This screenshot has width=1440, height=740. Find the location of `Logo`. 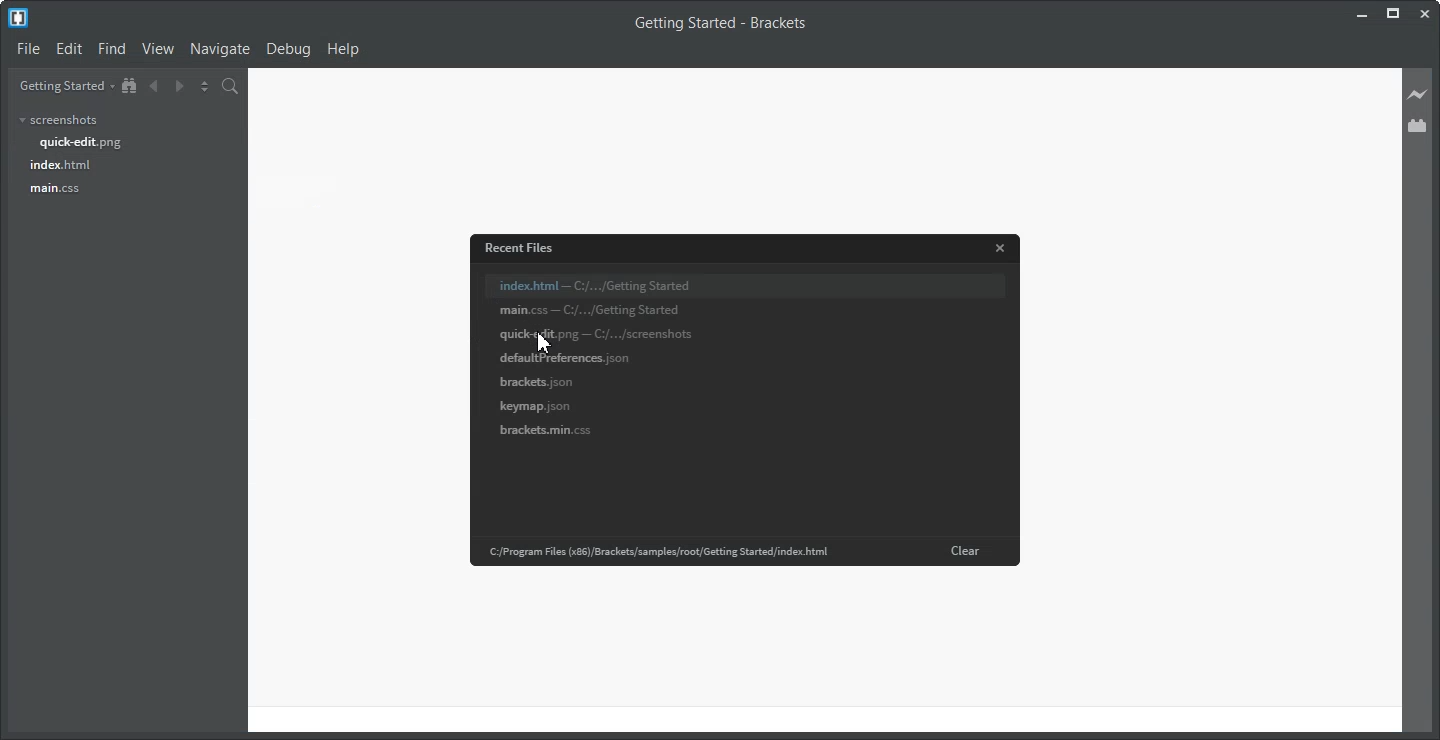

Logo is located at coordinates (18, 17).